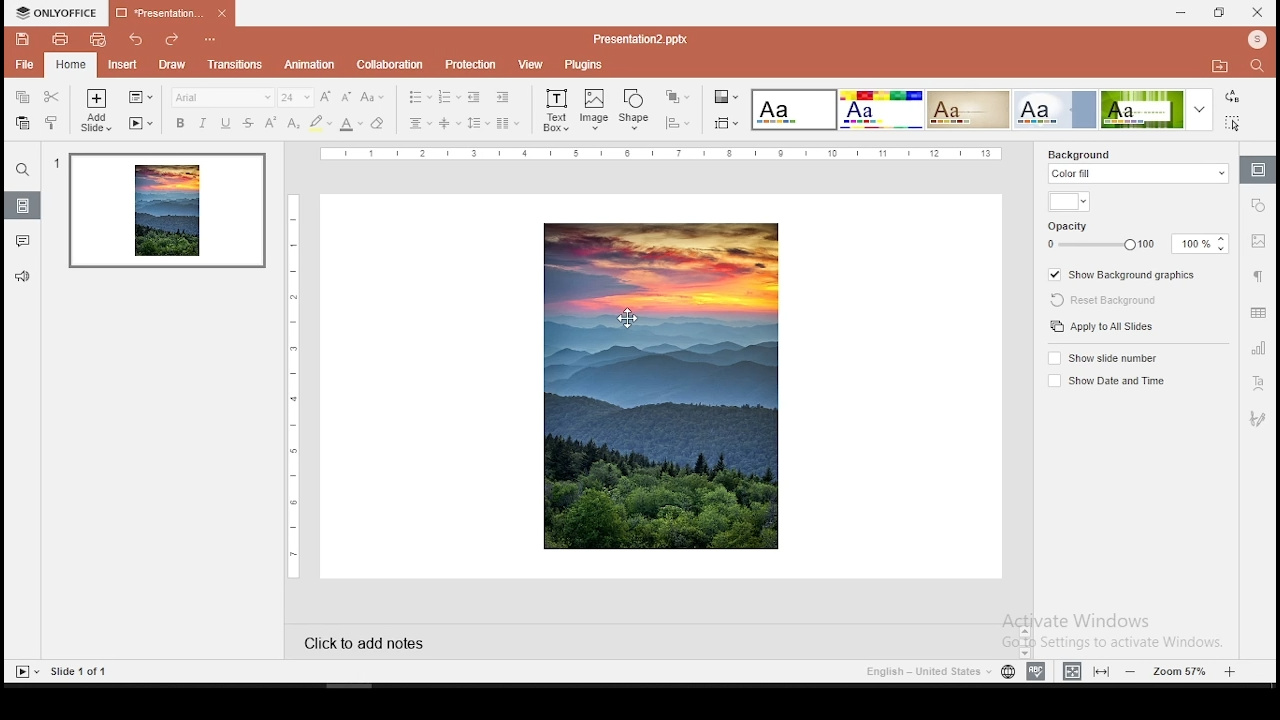 The image size is (1280, 720). Describe the element at coordinates (54, 39) in the screenshot. I see `print file` at that location.